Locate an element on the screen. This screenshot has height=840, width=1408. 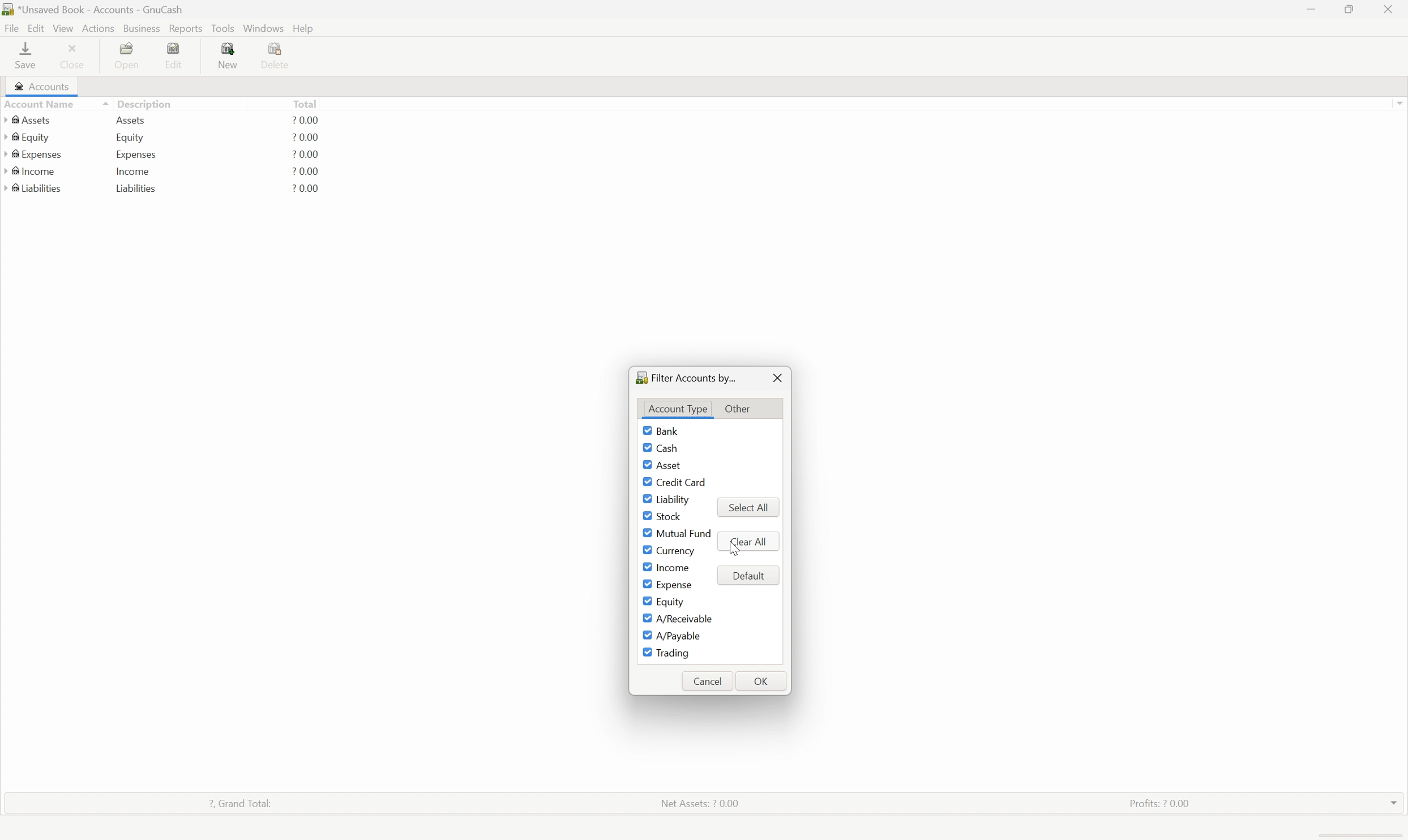
Other is located at coordinates (739, 408).